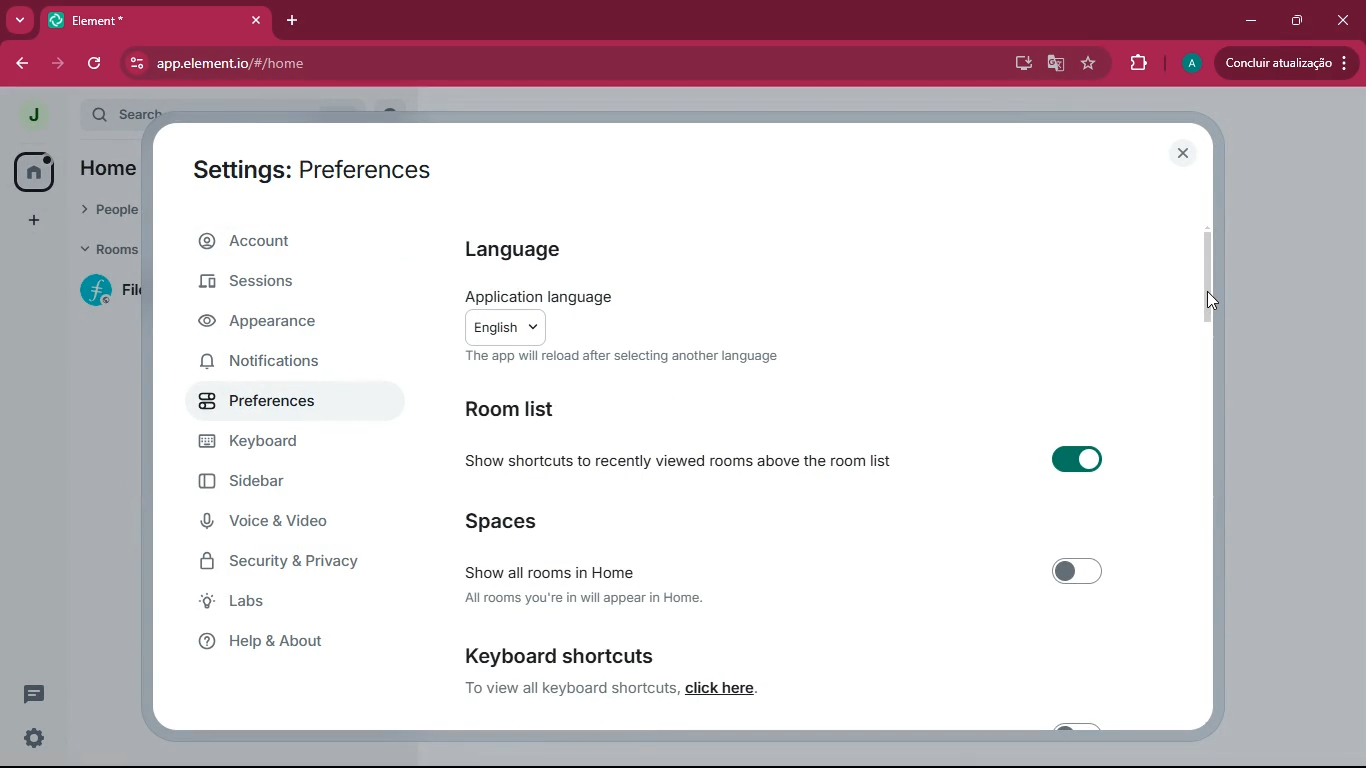 The height and width of the screenshot is (768, 1366). What do you see at coordinates (34, 223) in the screenshot?
I see `add` at bounding box center [34, 223].